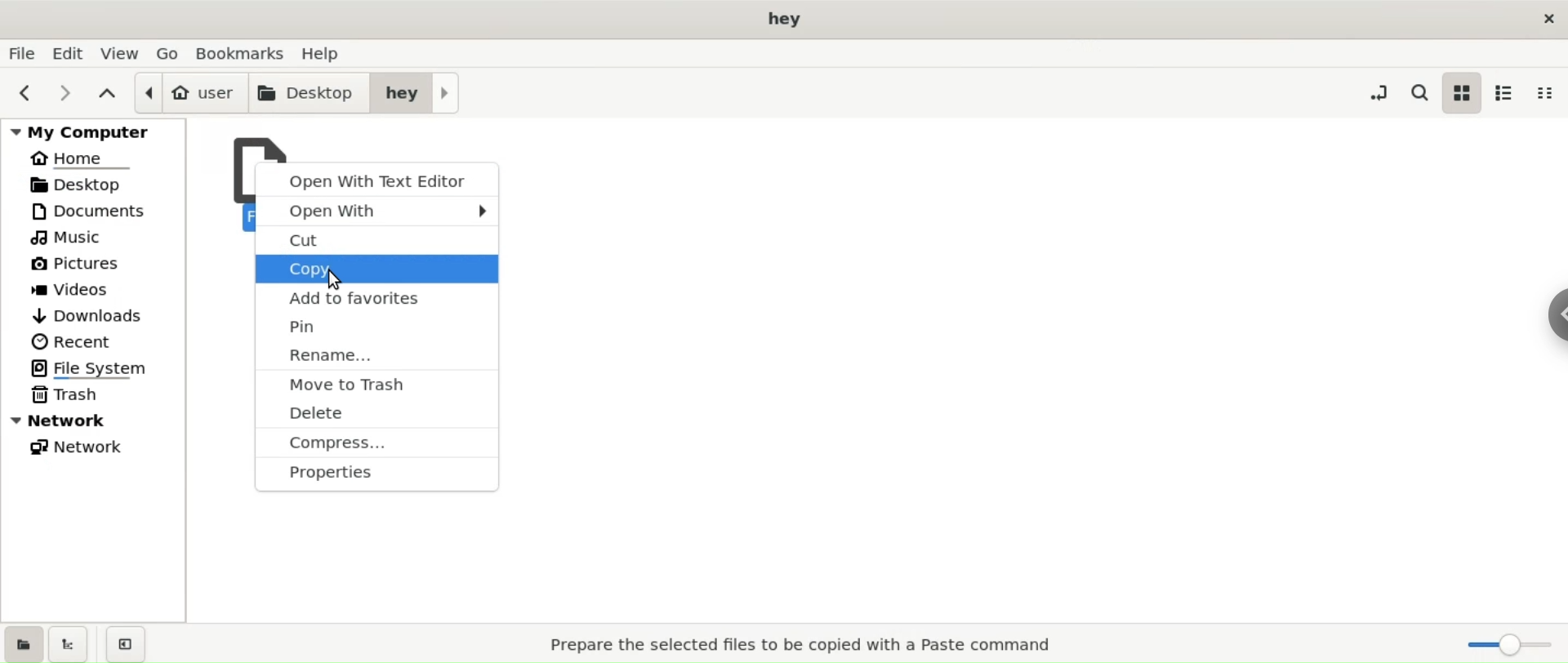  Describe the element at coordinates (324, 55) in the screenshot. I see `help` at that location.